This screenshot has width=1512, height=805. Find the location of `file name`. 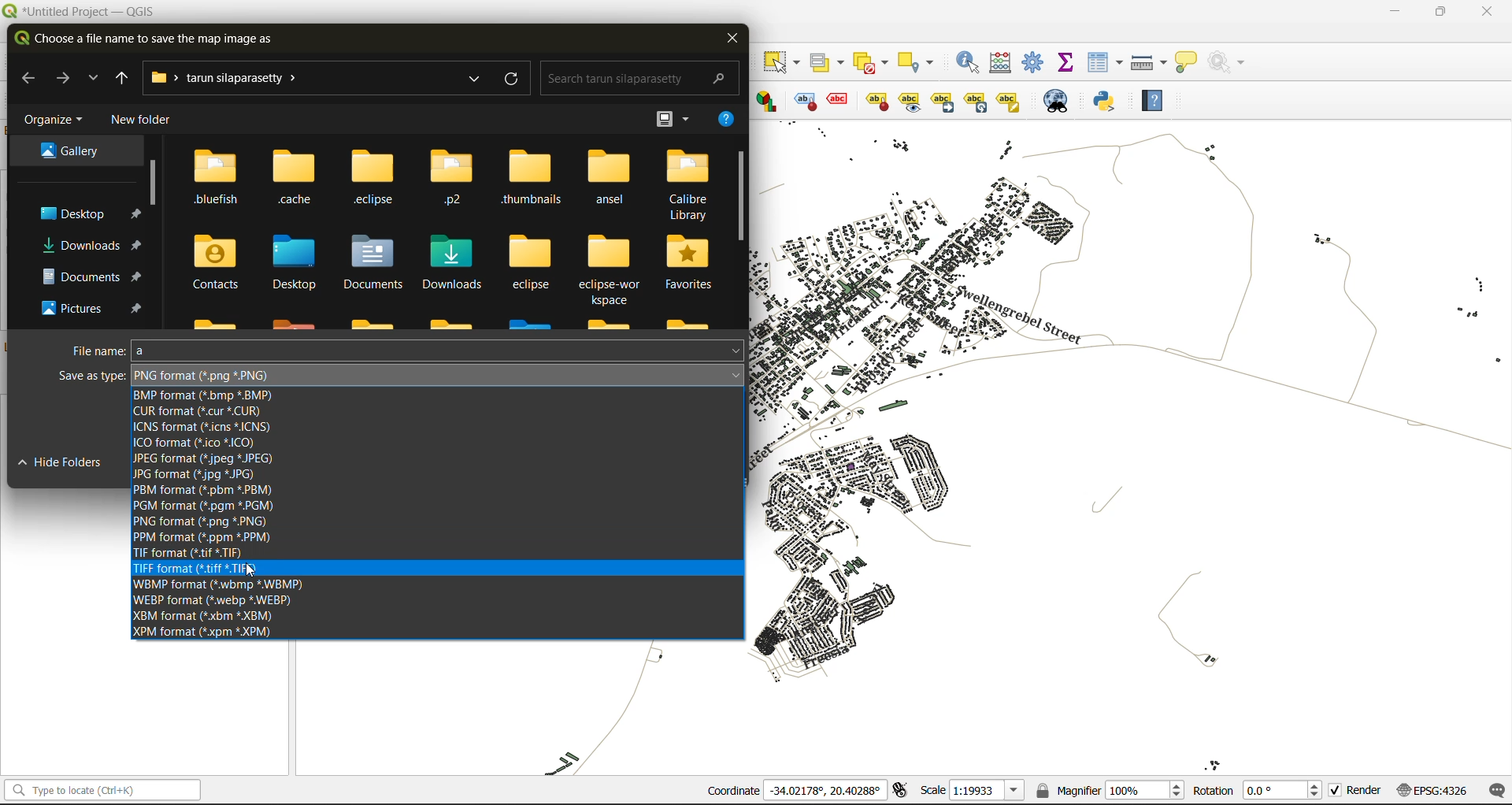

file name is located at coordinates (406, 351).